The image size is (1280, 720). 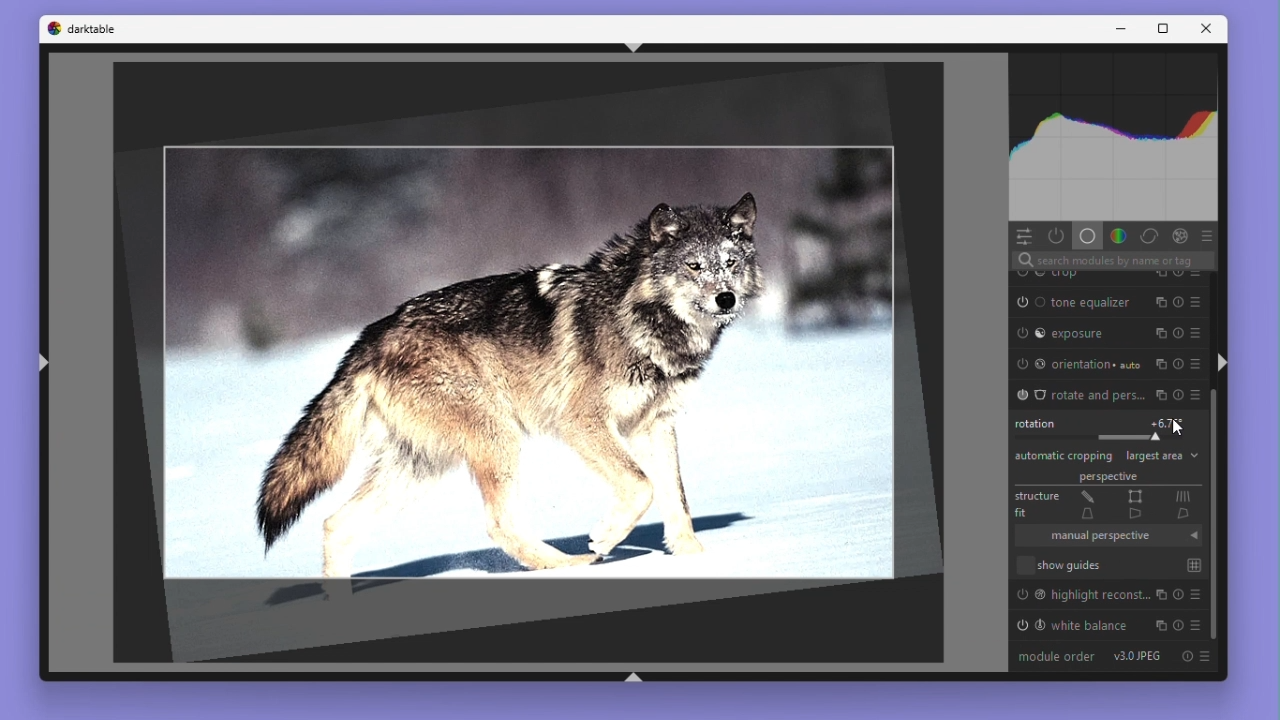 I want to click on Structure, so click(x=1106, y=497).